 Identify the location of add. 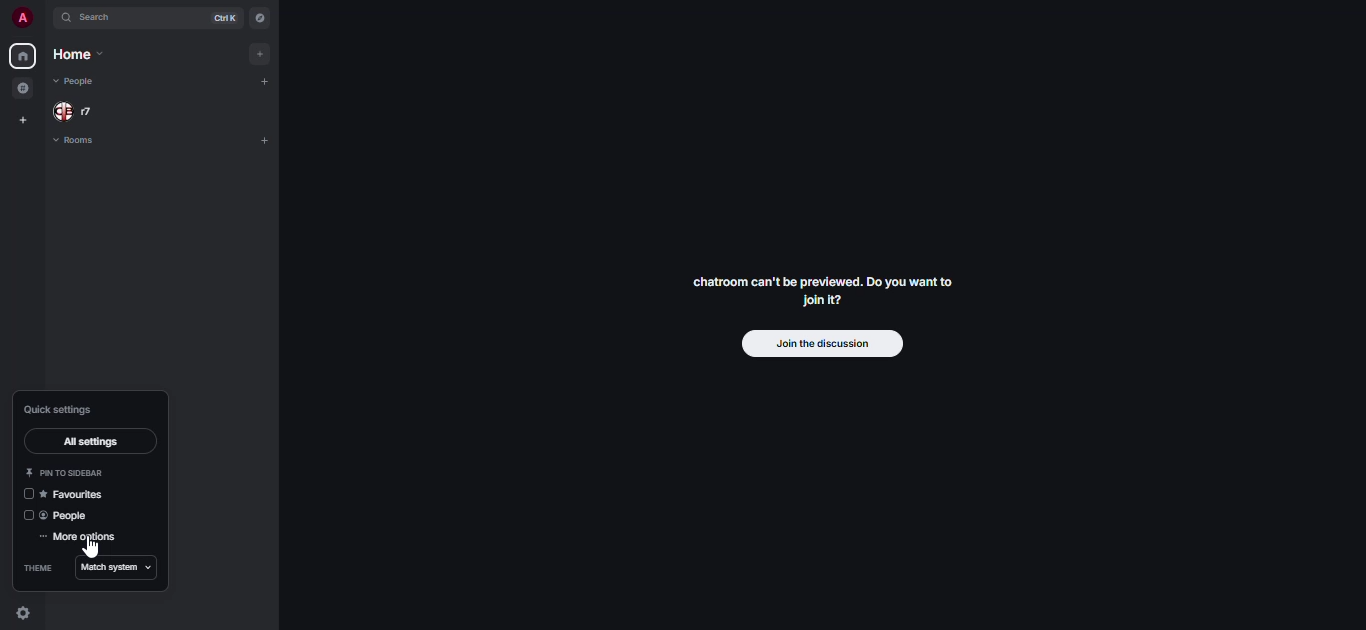
(268, 83).